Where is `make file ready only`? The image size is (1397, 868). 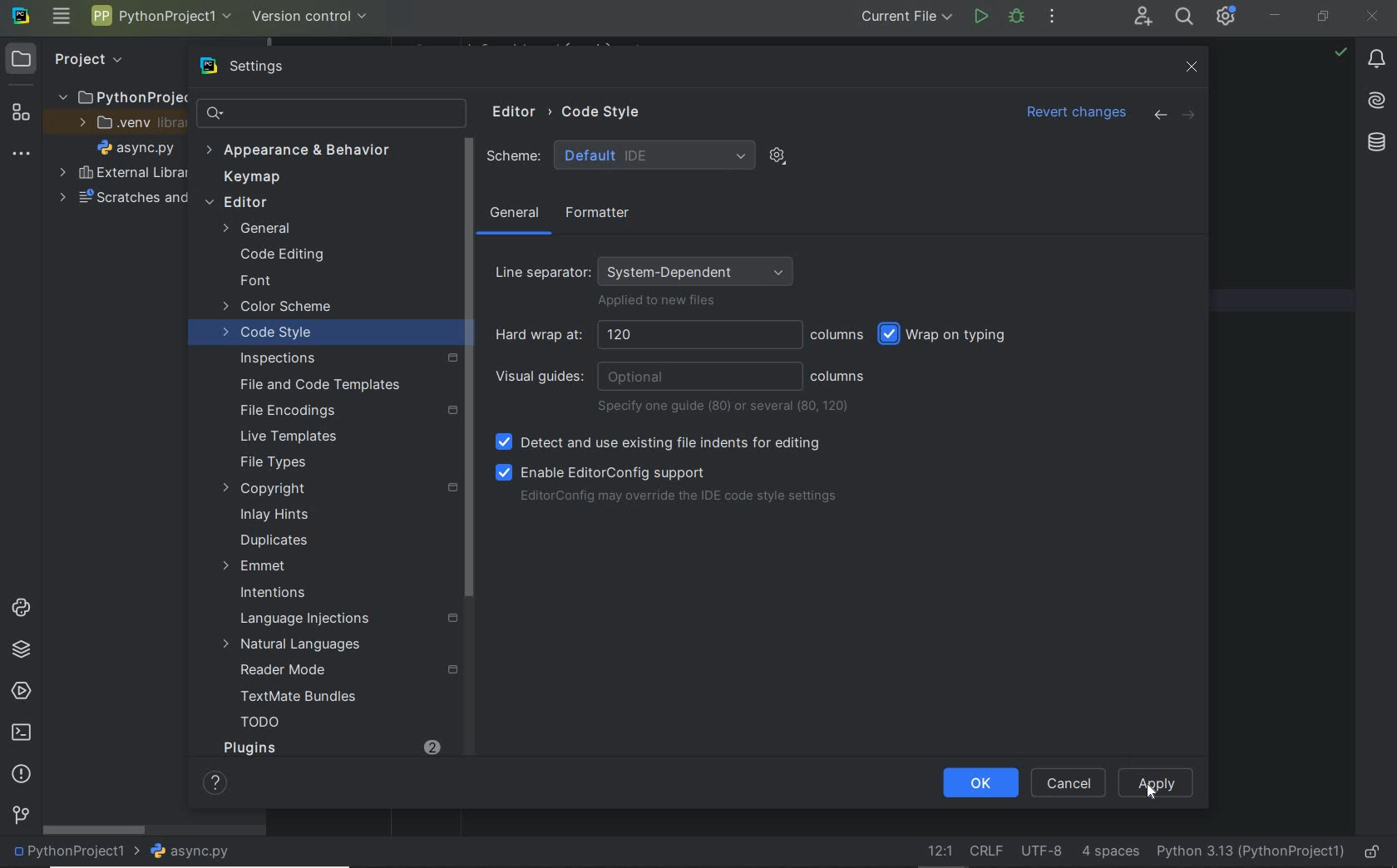 make file ready only is located at coordinates (1375, 852).